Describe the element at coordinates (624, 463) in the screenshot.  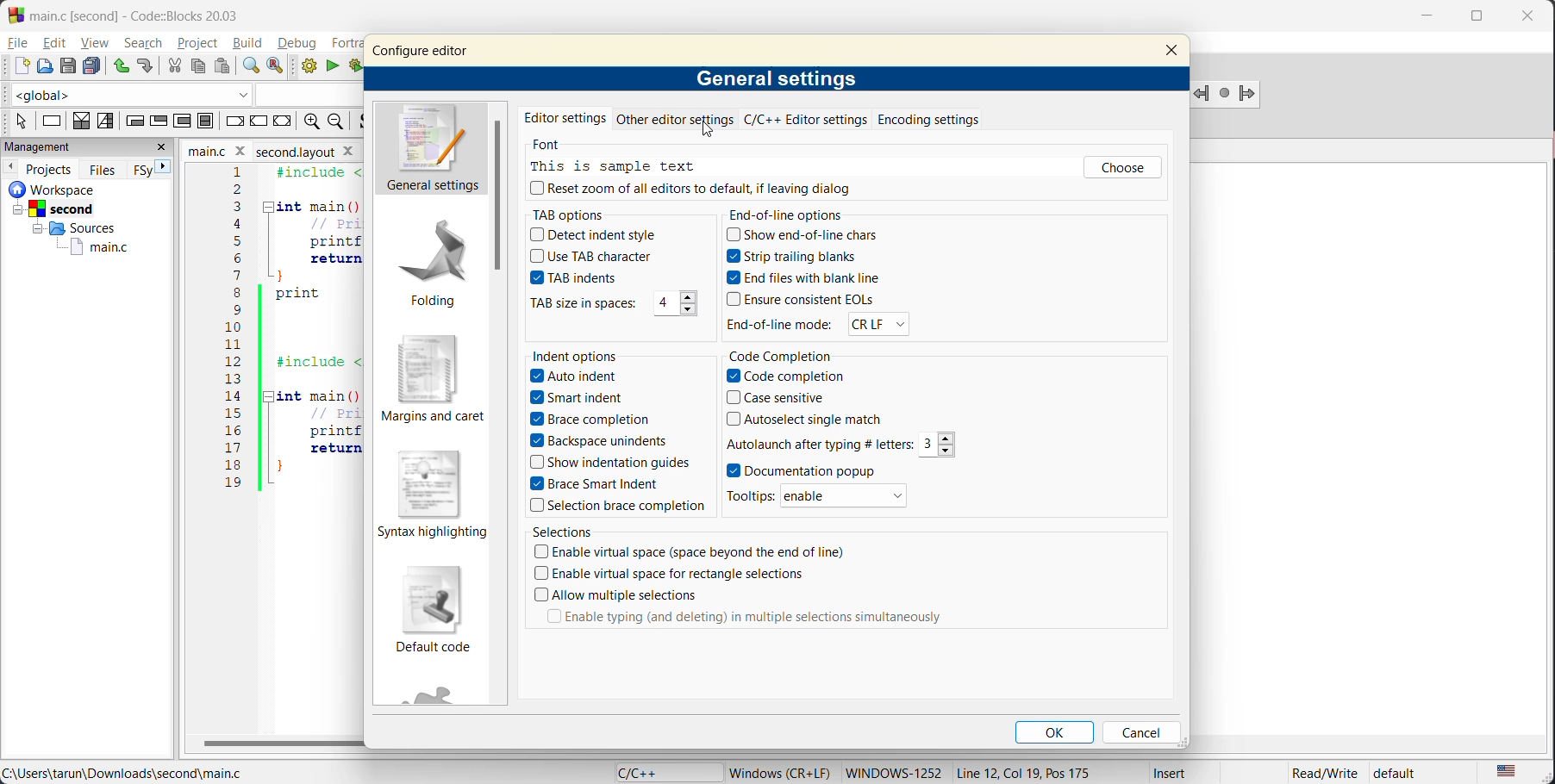
I see `Show indentation guides` at that location.